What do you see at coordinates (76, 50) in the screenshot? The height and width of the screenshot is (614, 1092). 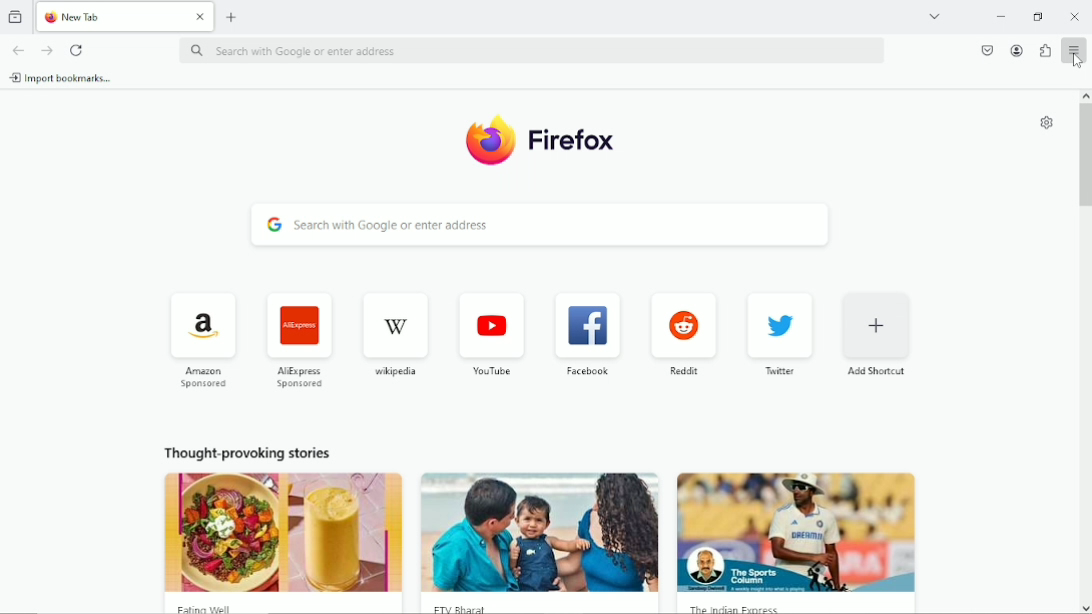 I see `reload current page` at bounding box center [76, 50].